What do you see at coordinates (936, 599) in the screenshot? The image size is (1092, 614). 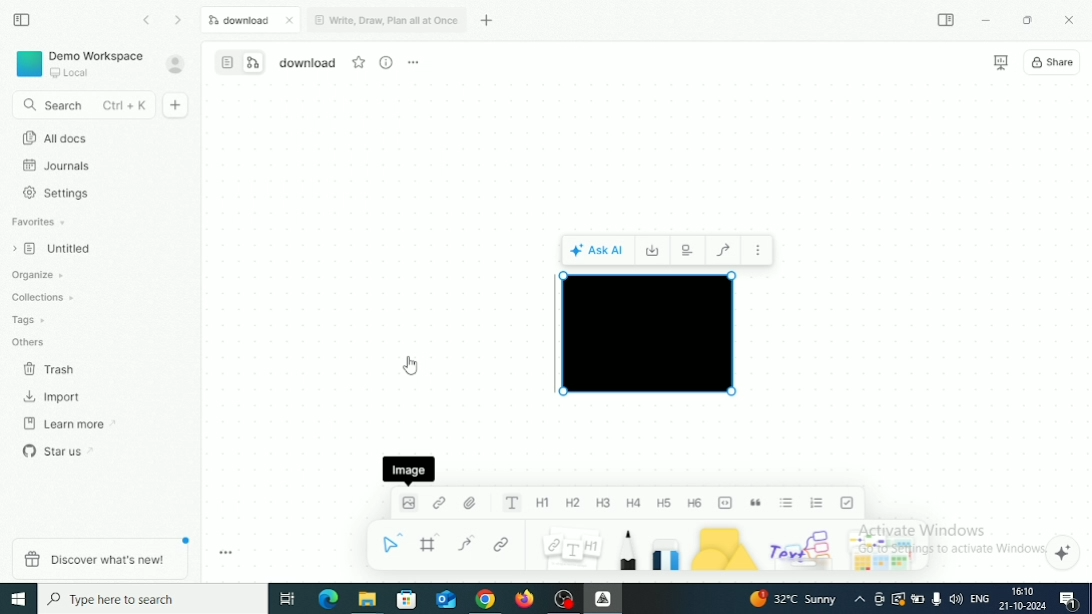 I see `Mic` at bounding box center [936, 599].